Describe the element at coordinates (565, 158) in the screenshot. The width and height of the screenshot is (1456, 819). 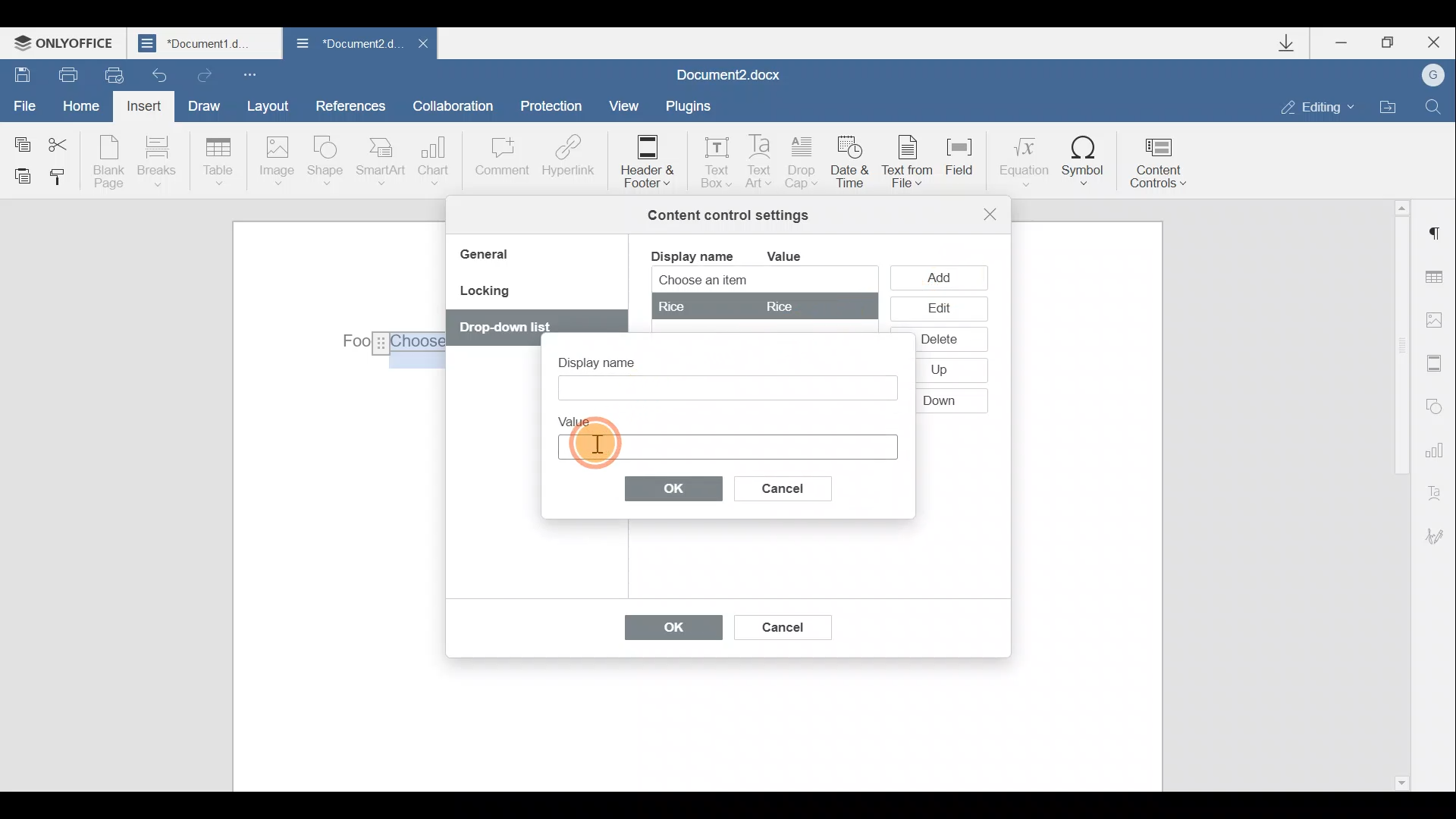
I see `Hyperlink` at that location.